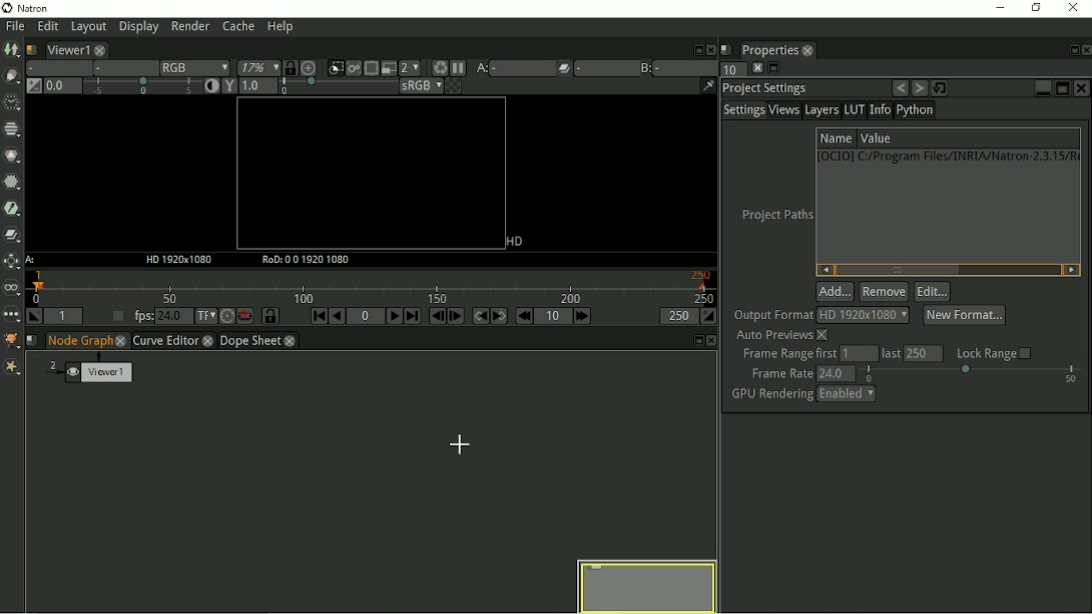 The height and width of the screenshot is (614, 1092). I want to click on Restore default value, so click(942, 87).